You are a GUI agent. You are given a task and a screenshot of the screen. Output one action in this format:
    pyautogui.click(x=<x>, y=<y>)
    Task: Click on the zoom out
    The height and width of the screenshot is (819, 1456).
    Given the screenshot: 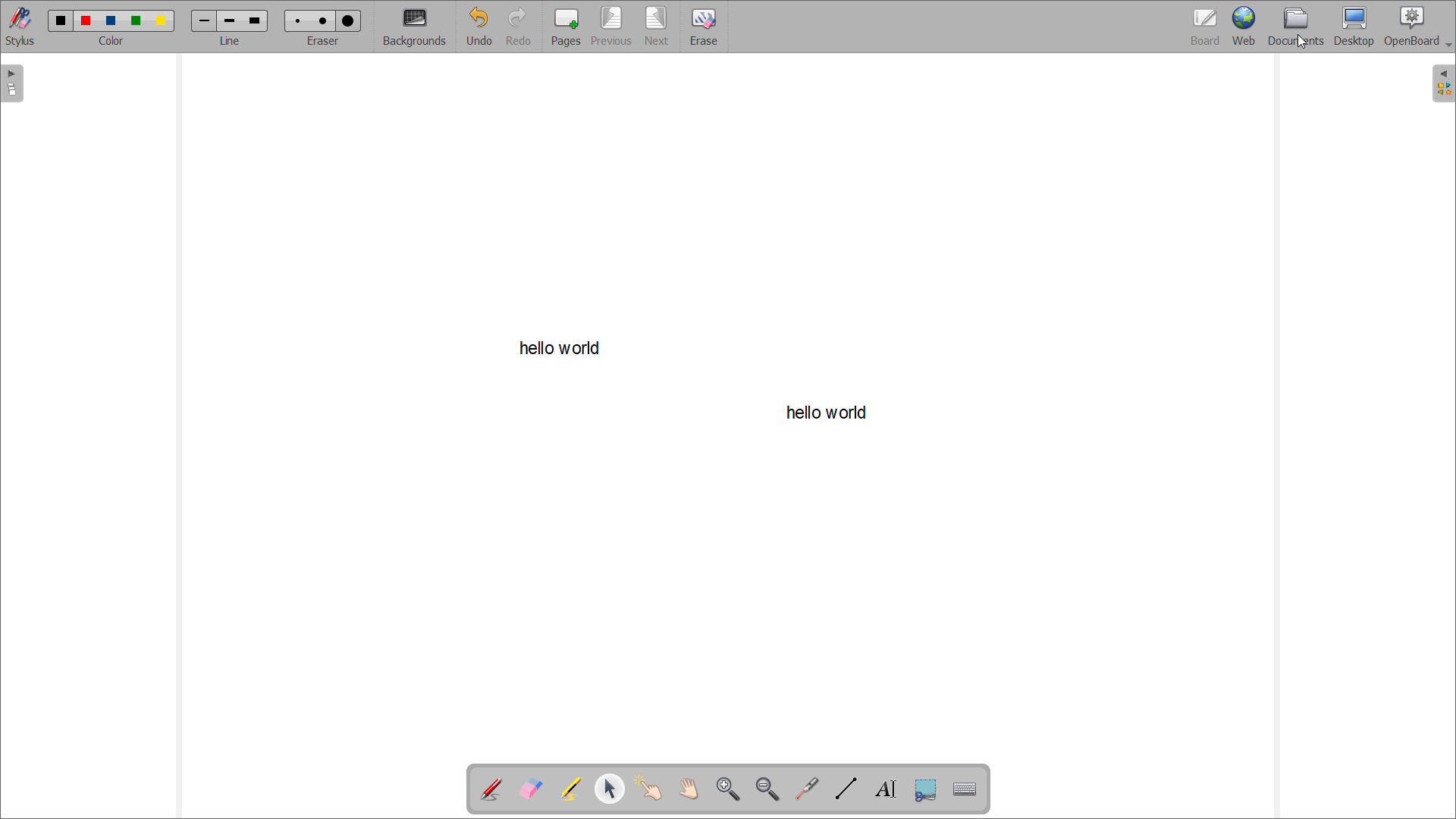 What is the action you would take?
    pyautogui.click(x=767, y=789)
    